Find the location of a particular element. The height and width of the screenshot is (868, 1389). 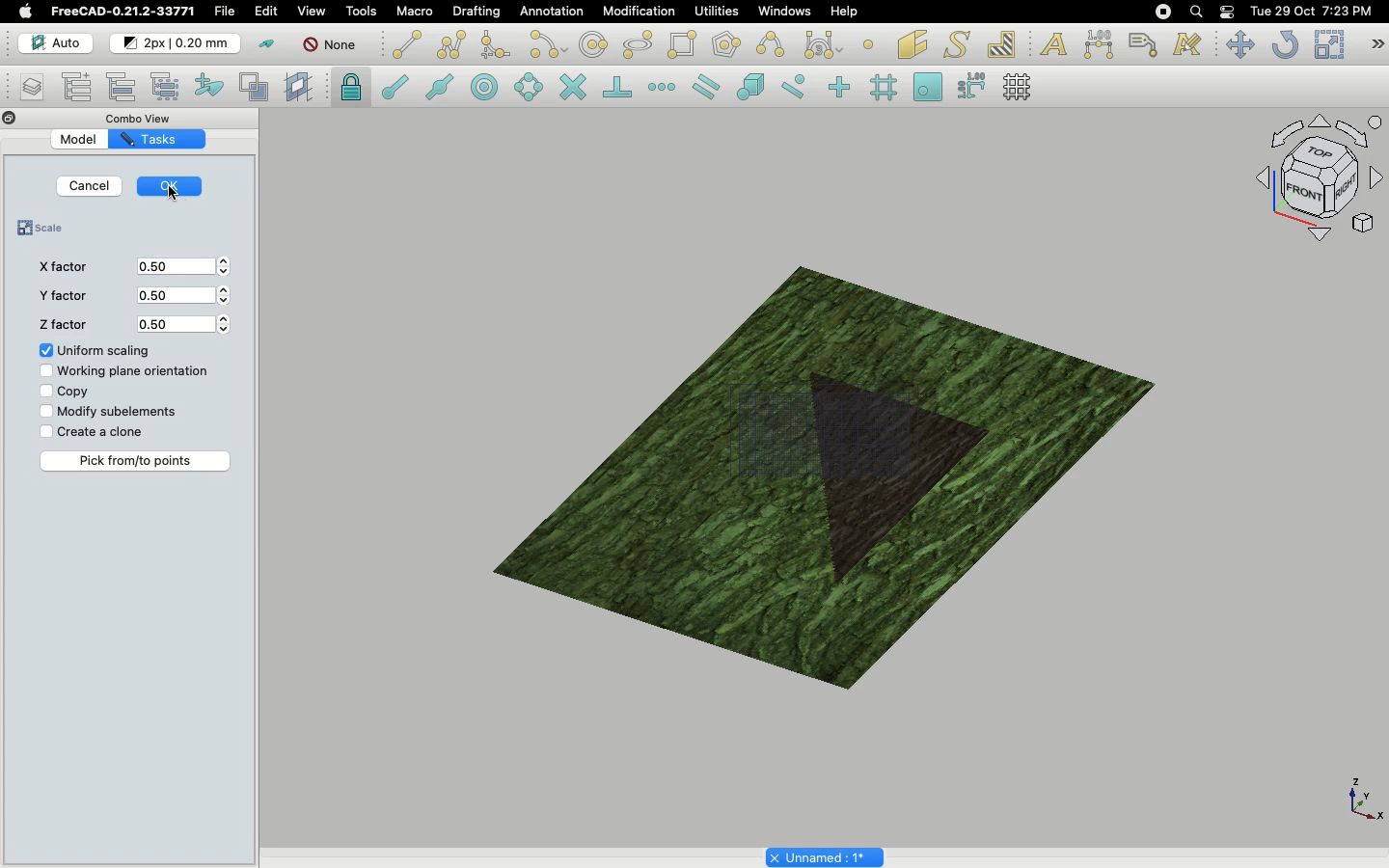

Bezier tools is located at coordinates (826, 44).